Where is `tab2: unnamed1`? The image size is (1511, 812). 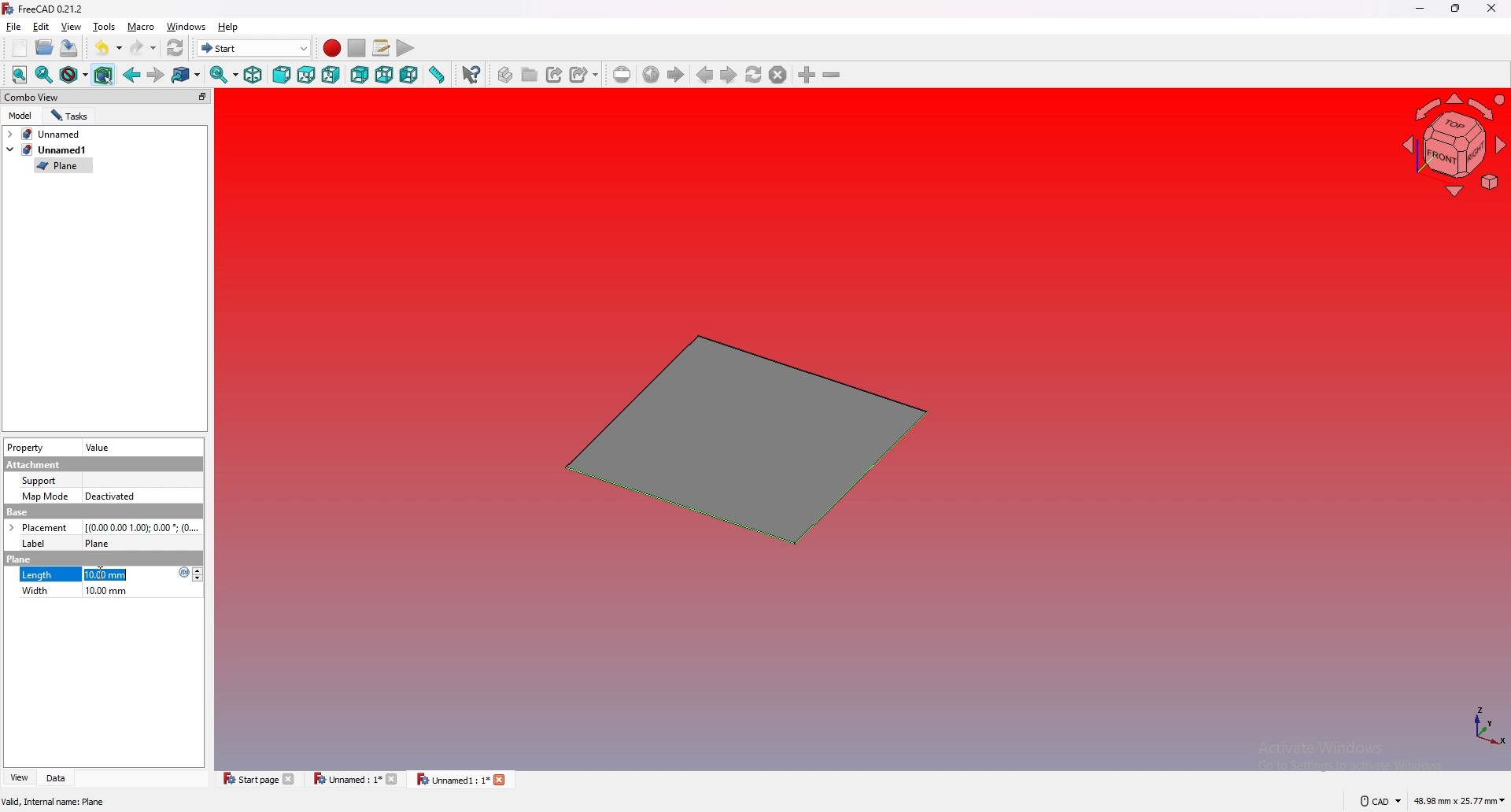 tab2: unnamed1 is located at coordinates (46, 149).